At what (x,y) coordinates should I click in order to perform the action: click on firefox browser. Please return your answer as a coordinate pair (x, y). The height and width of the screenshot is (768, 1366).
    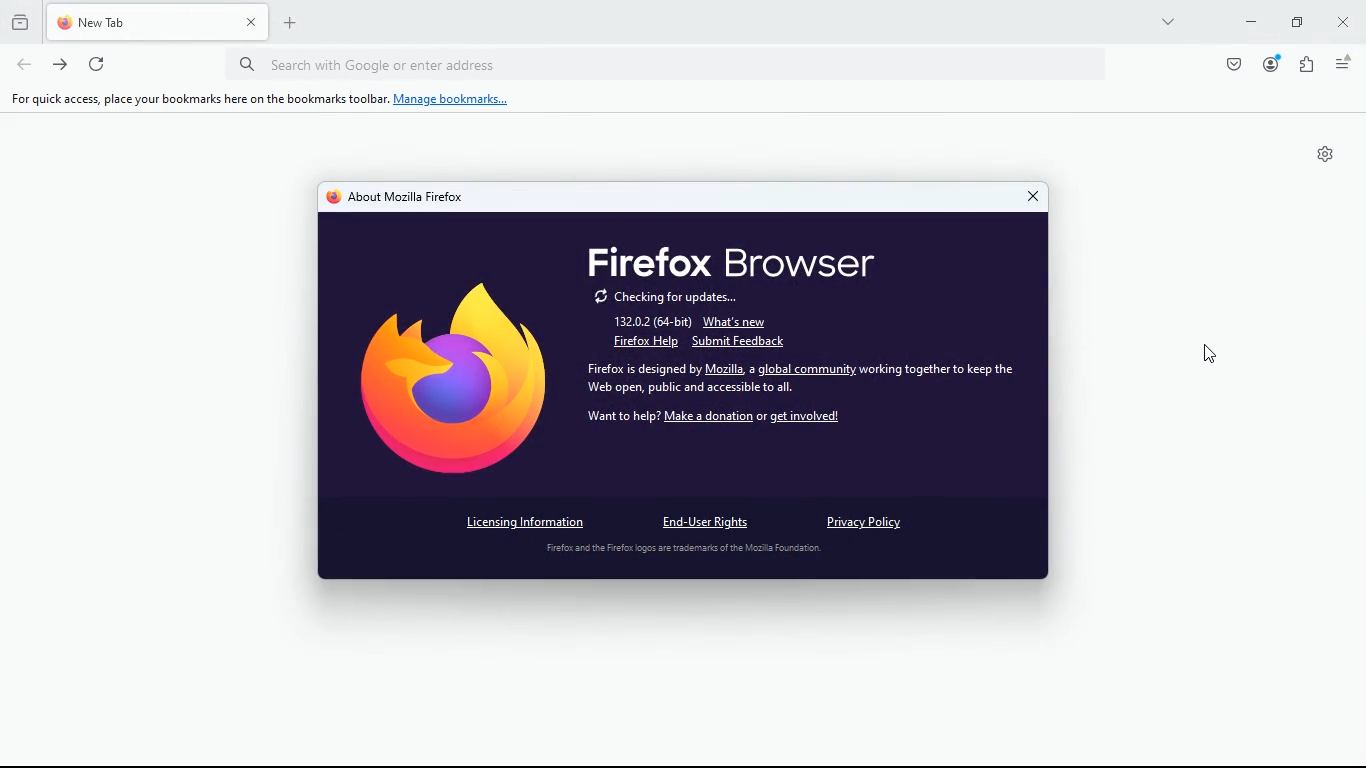
    Looking at the image, I should click on (740, 262).